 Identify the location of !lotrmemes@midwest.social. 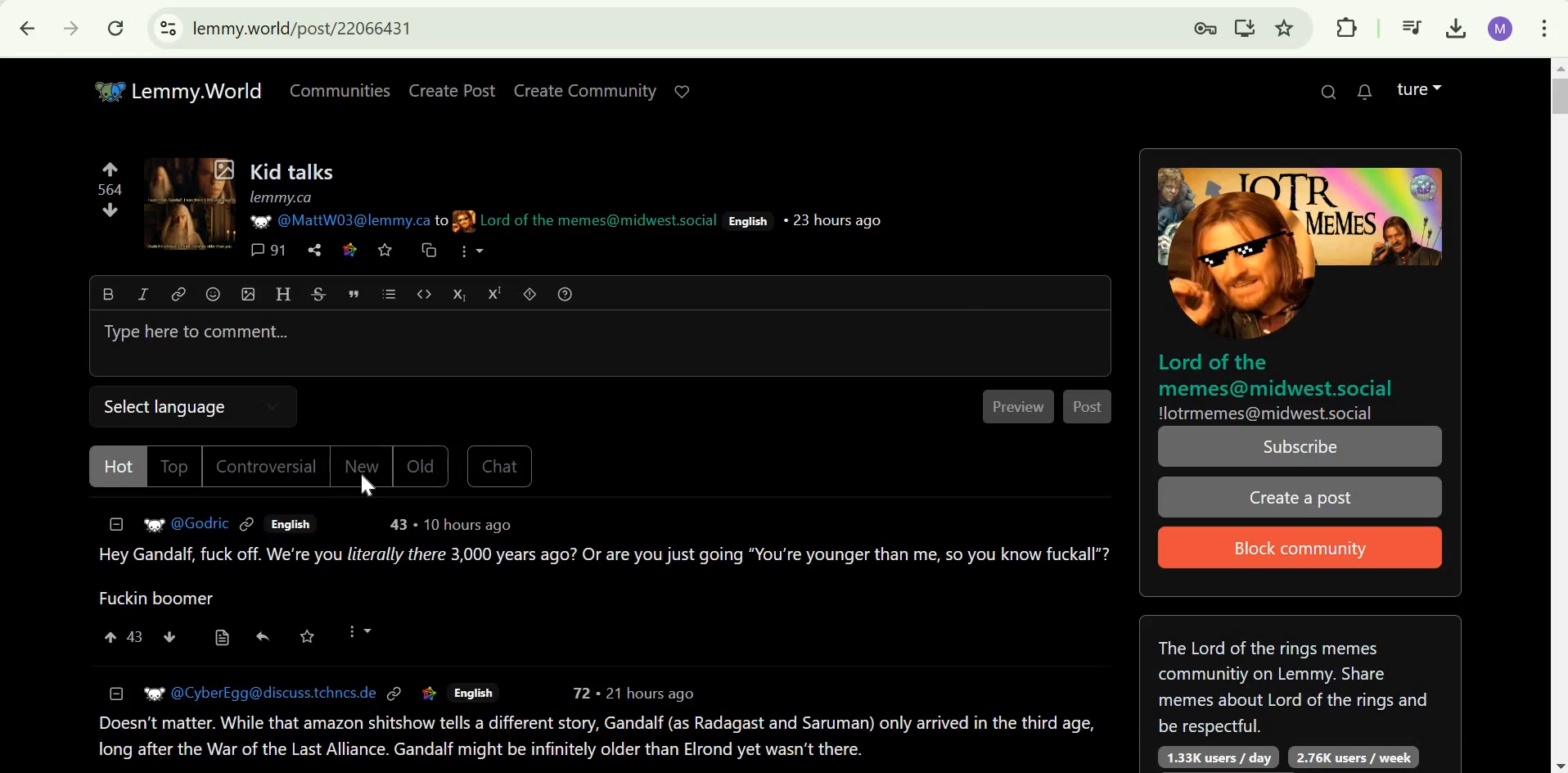
(1268, 413).